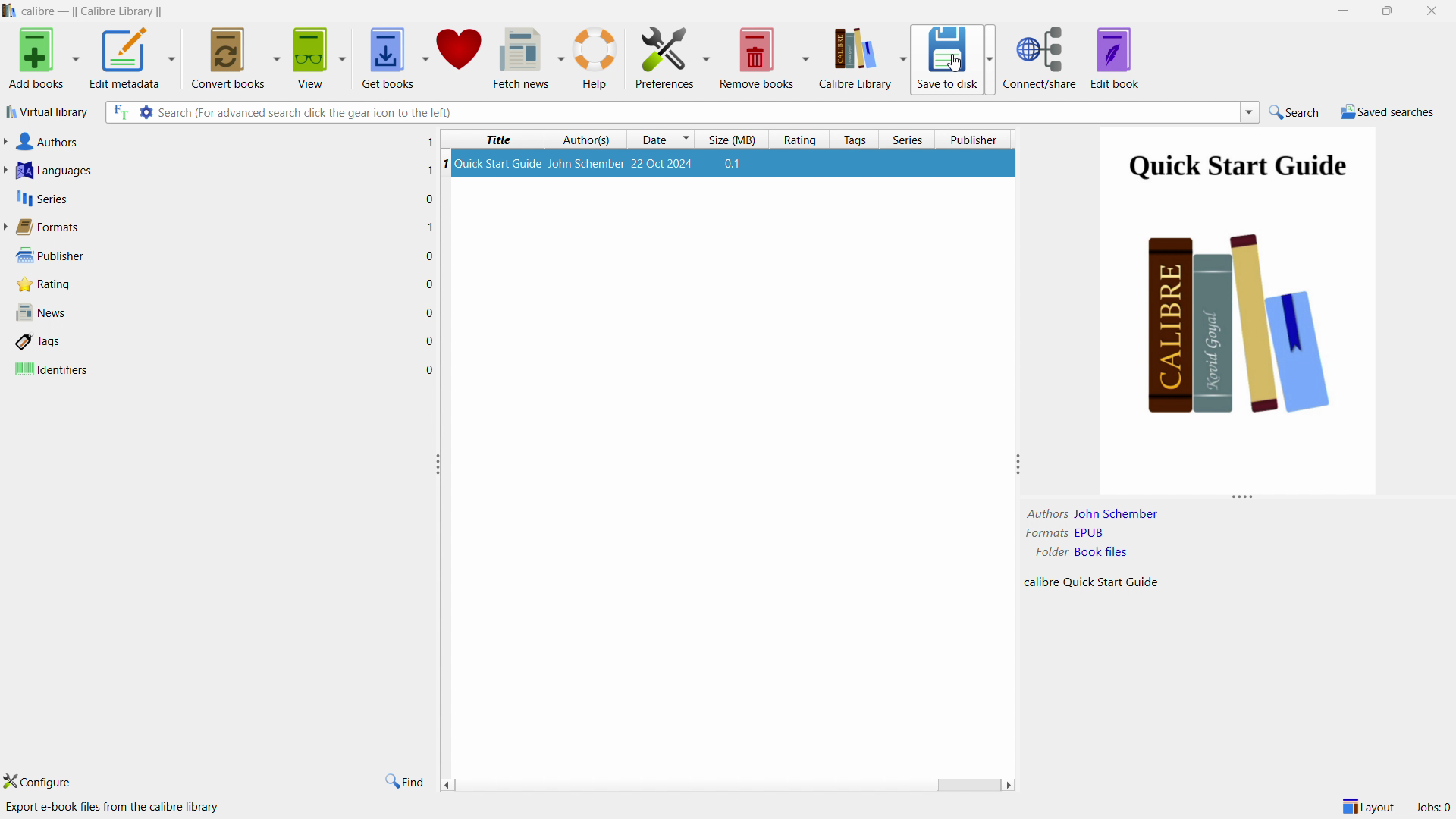 This screenshot has height=819, width=1456. I want to click on cursor, so click(953, 61).